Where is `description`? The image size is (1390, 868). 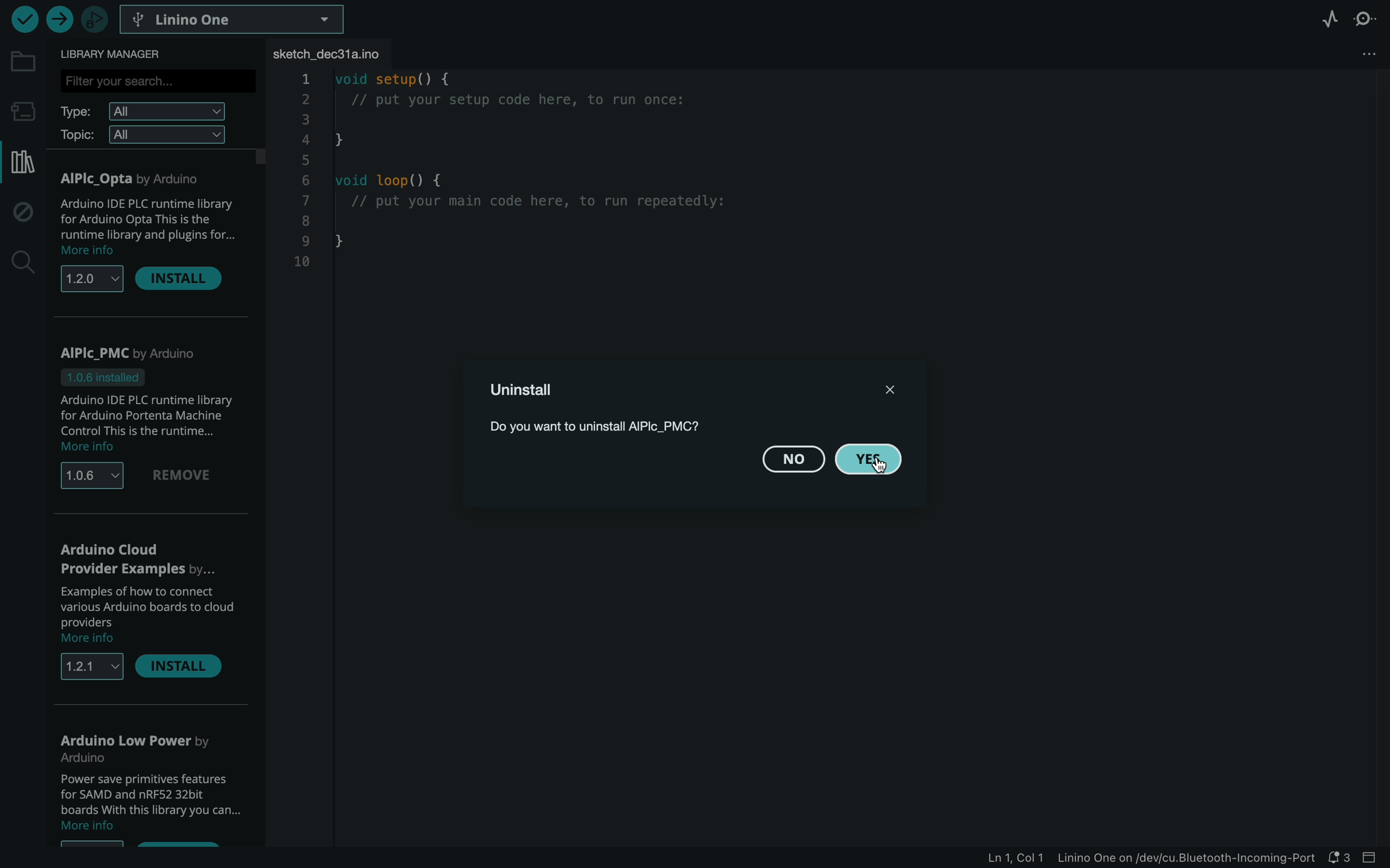
description is located at coordinates (150, 226).